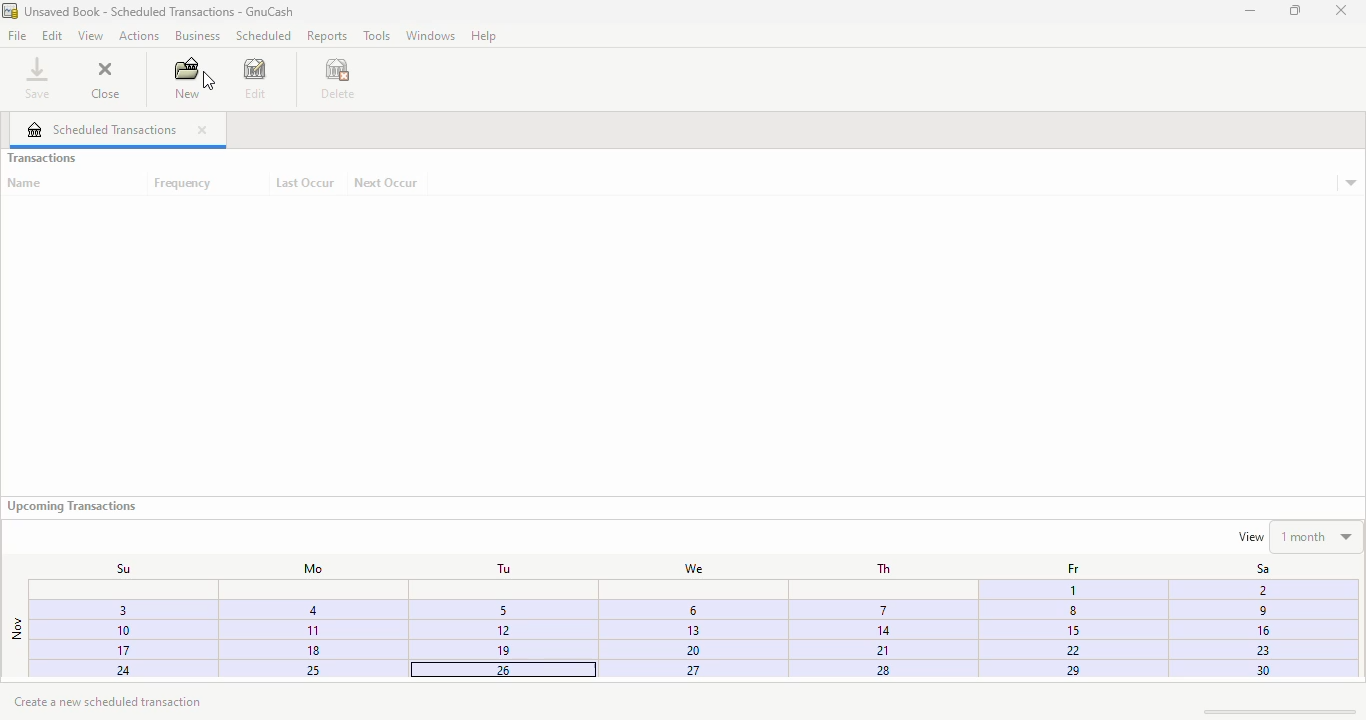  What do you see at coordinates (160, 11) in the screenshot?
I see `title` at bounding box center [160, 11].